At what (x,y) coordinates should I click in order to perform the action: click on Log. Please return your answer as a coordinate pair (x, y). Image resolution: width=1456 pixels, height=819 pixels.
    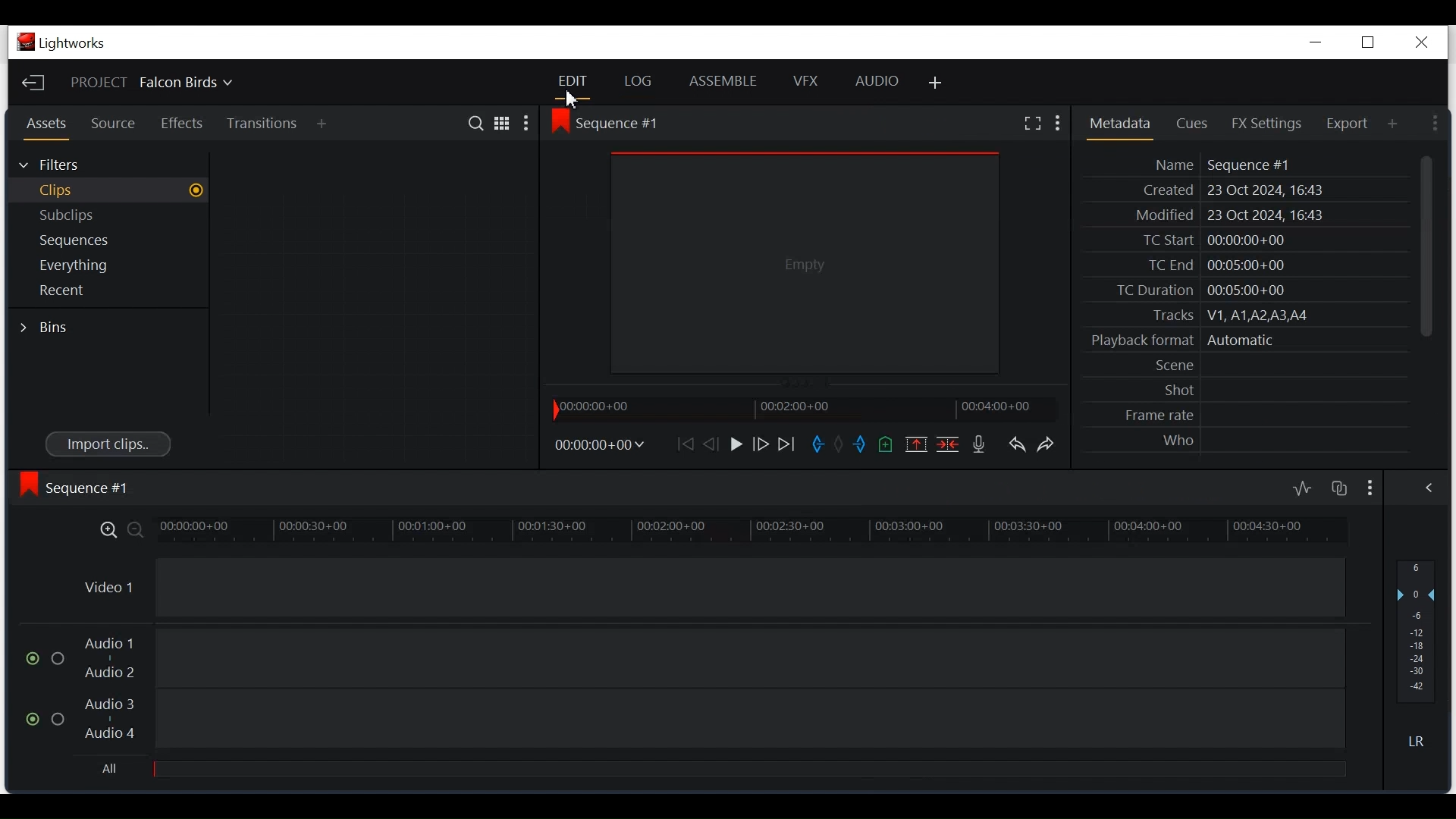
    Looking at the image, I should click on (638, 80).